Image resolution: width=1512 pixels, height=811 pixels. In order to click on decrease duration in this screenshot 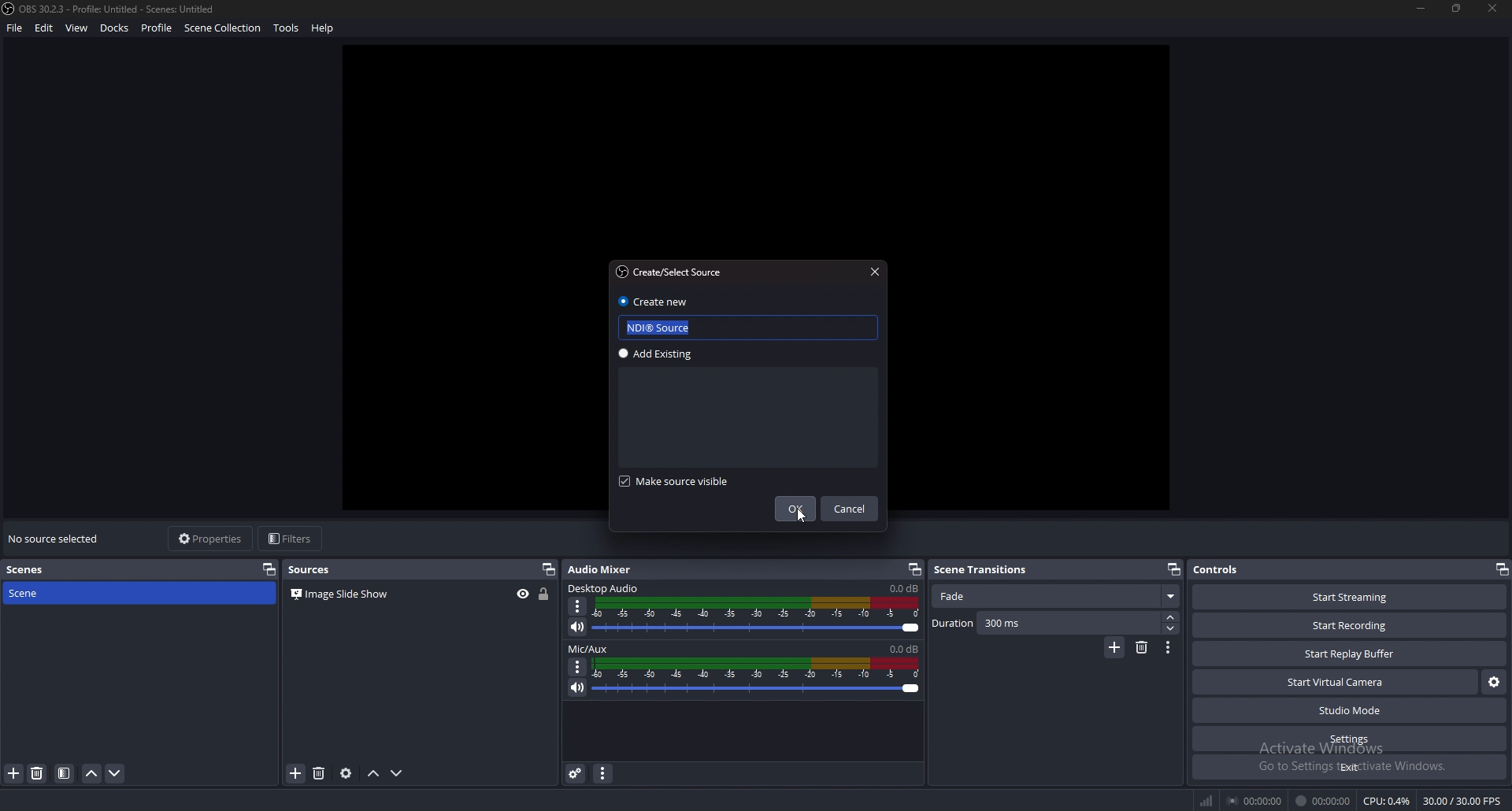, I will do `click(1171, 628)`.